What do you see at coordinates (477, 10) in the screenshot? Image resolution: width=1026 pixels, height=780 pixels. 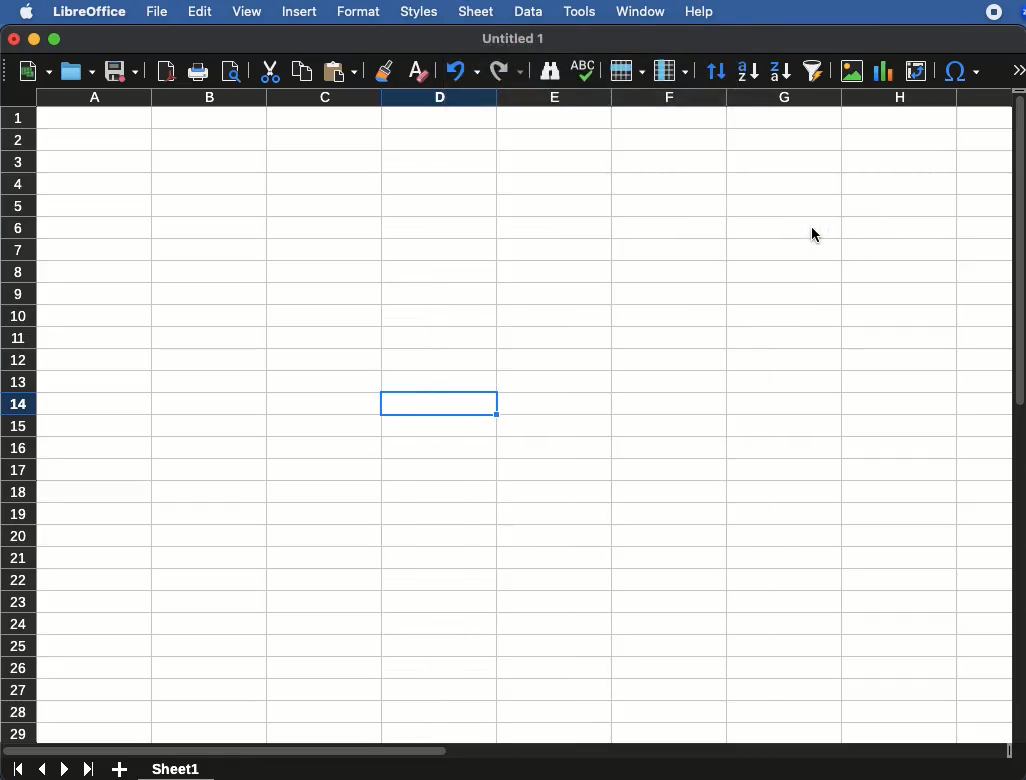 I see `sheet` at bounding box center [477, 10].